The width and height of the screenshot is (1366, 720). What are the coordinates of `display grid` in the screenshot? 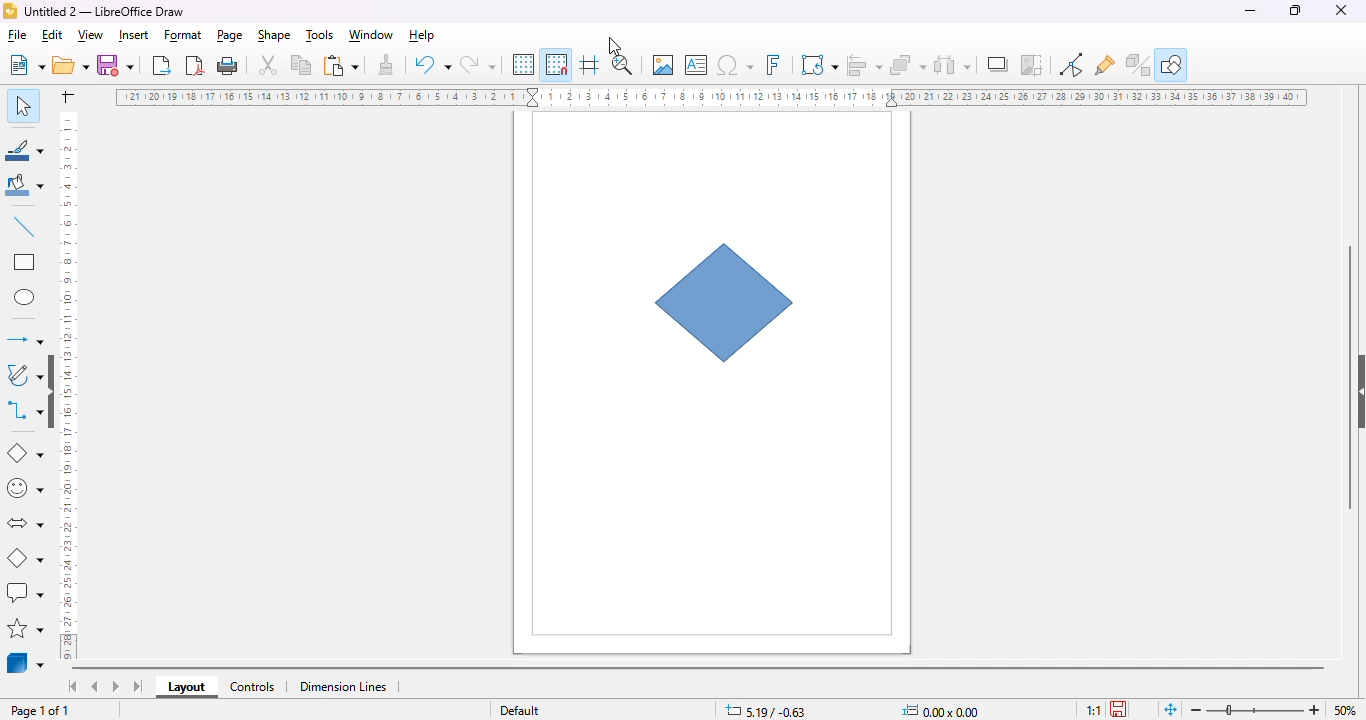 It's located at (522, 64).